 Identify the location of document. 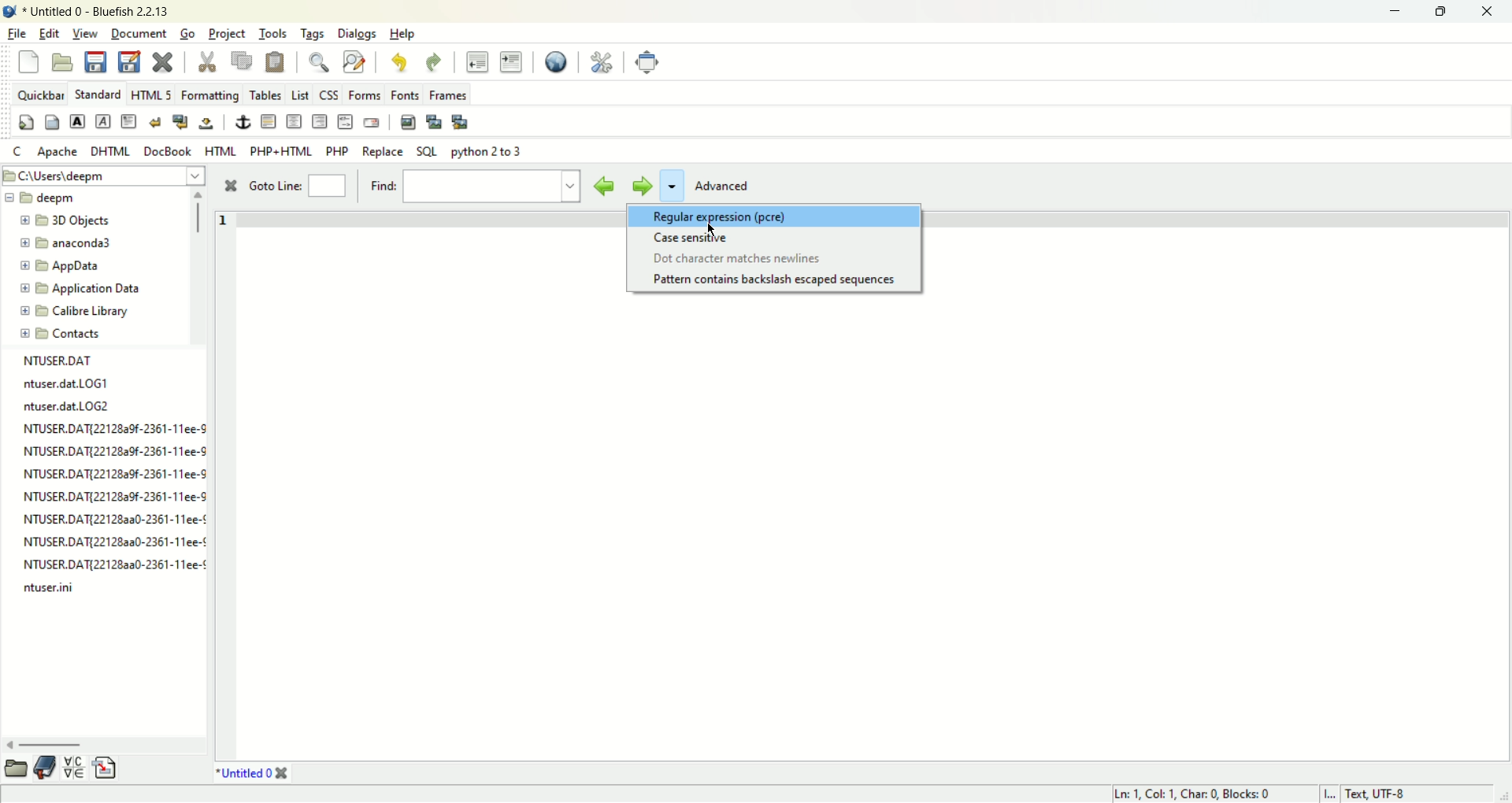
(138, 31).